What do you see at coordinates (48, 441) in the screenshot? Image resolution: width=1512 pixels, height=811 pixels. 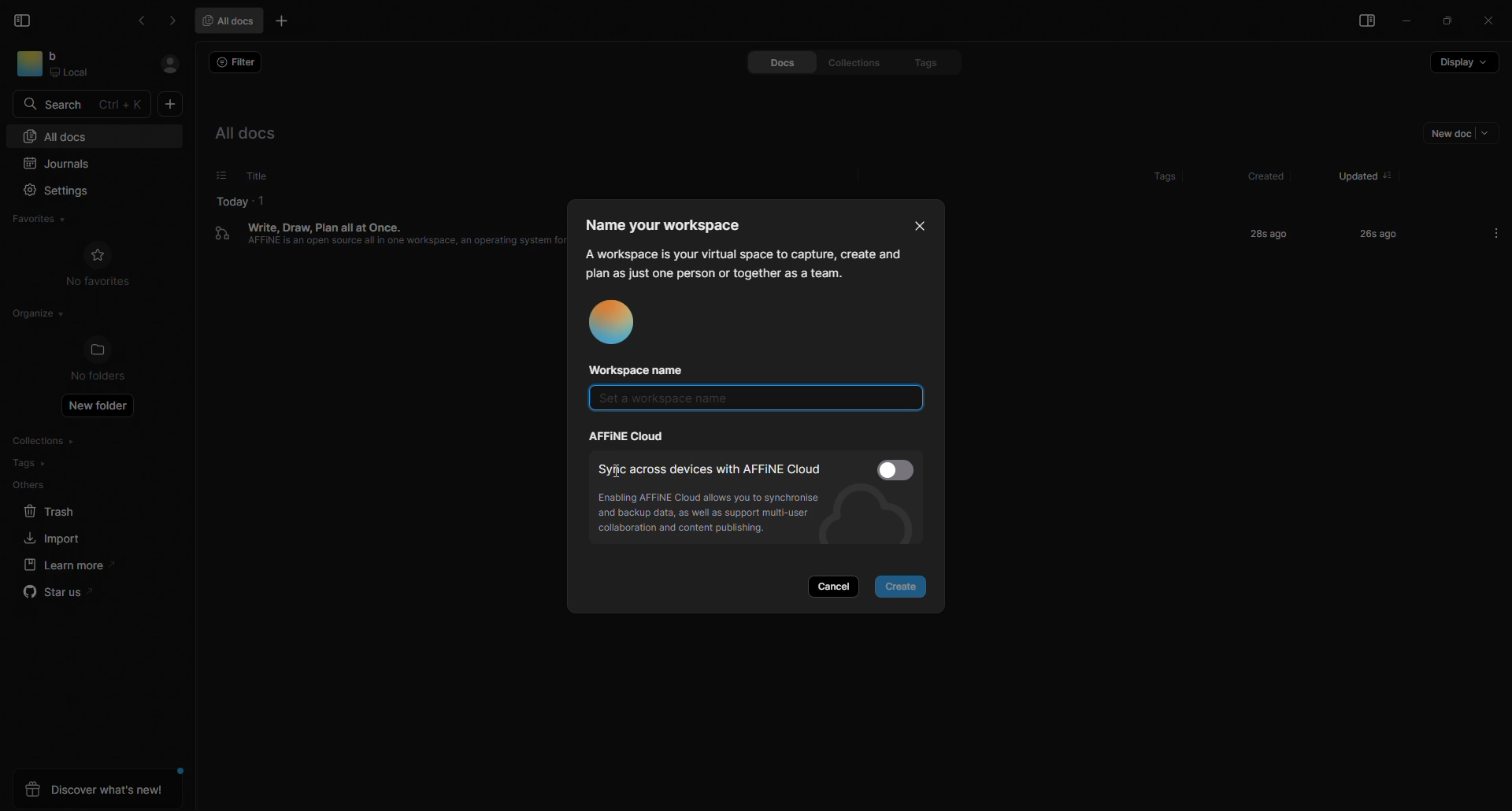 I see `collections` at bounding box center [48, 441].